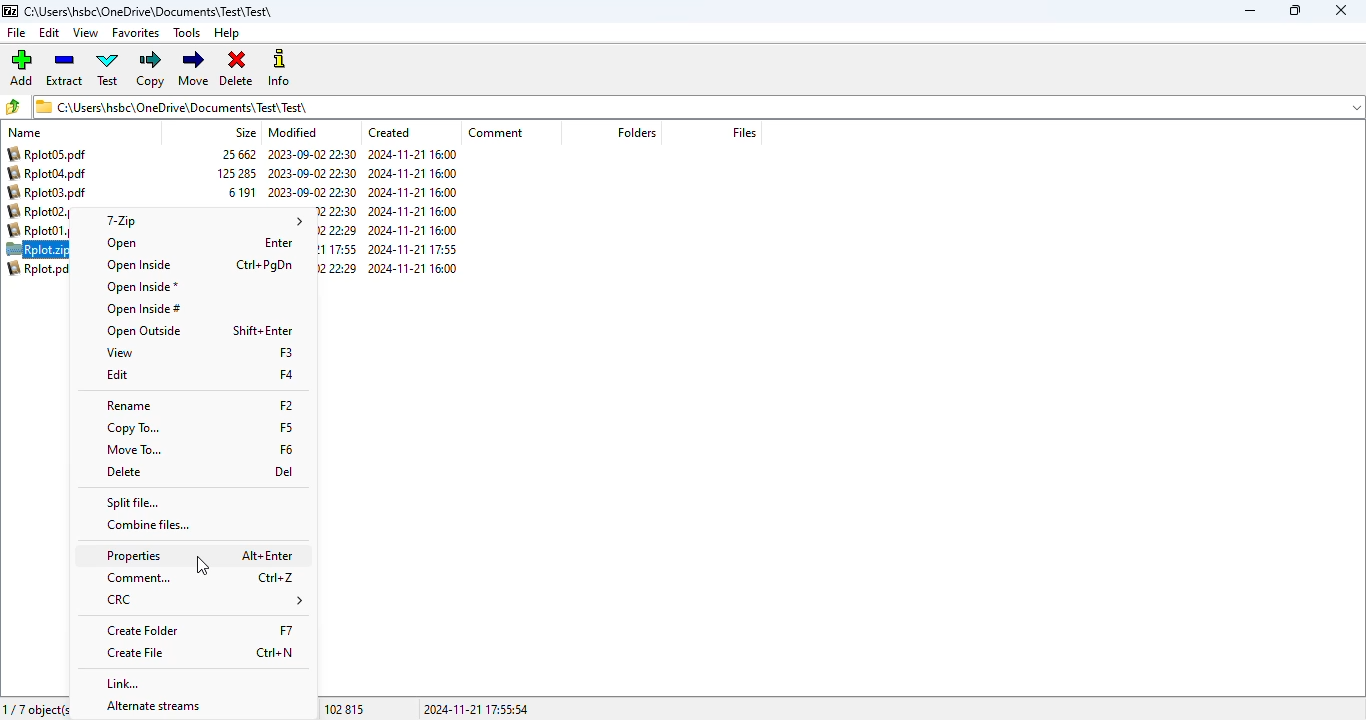 The height and width of the screenshot is (720, 1366). What do you see at coordinates (236, 69) in the screenshot?
I see `delete` at bounding box center [236, 69].